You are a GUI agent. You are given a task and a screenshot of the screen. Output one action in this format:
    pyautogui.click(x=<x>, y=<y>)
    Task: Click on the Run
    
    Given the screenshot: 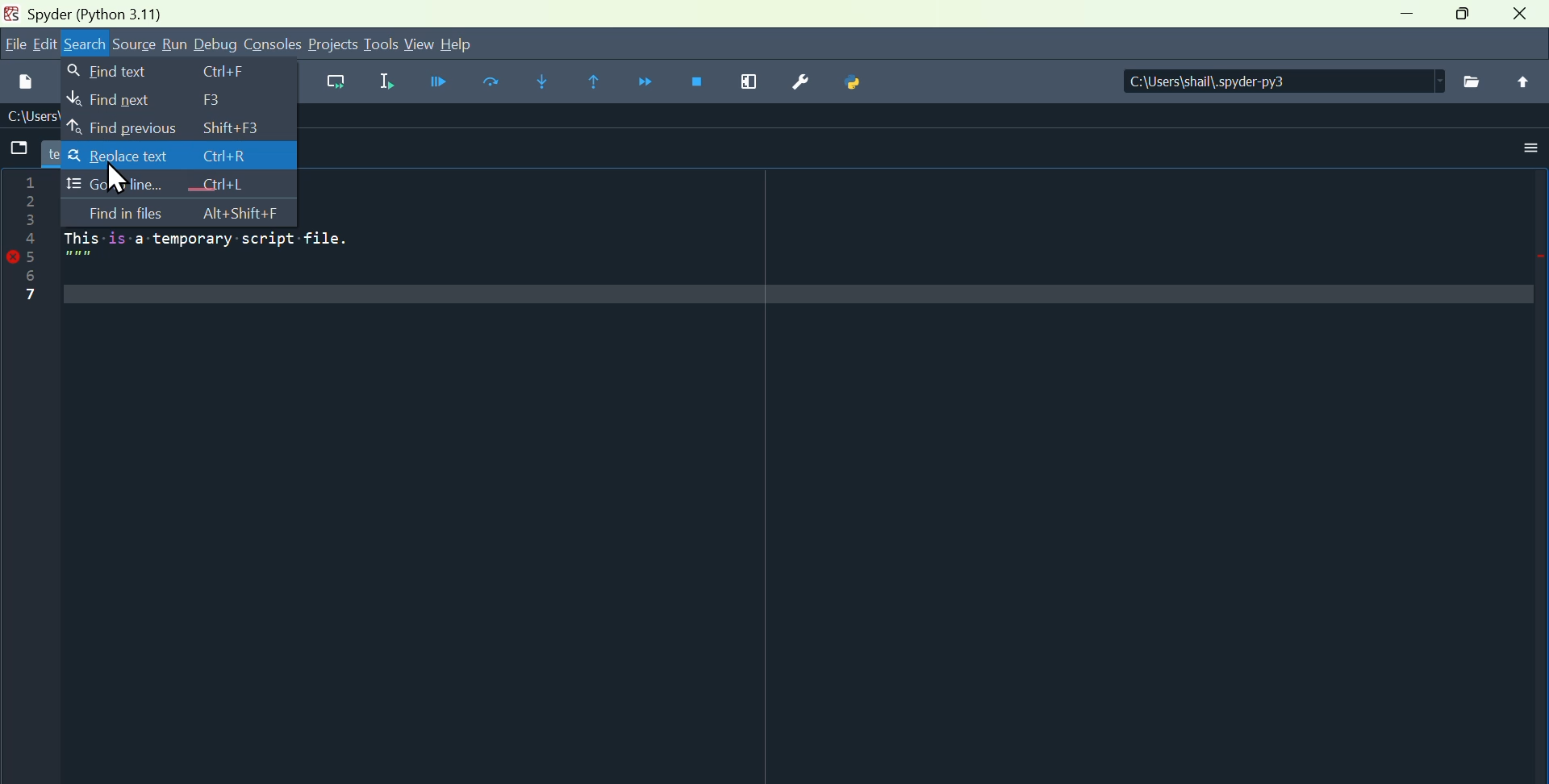 What is the action you would take?
    pyautogui.click(x=175, y=47)
    